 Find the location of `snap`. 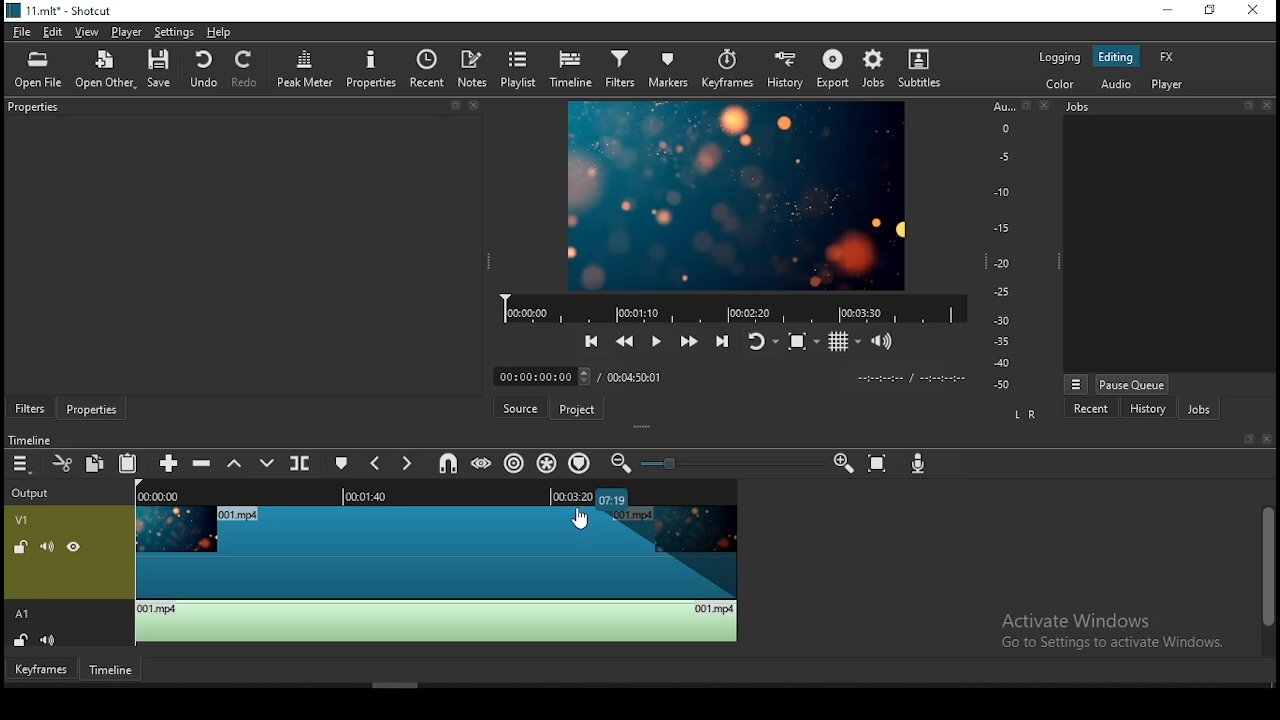

snap is located at coordinates (447, 462).